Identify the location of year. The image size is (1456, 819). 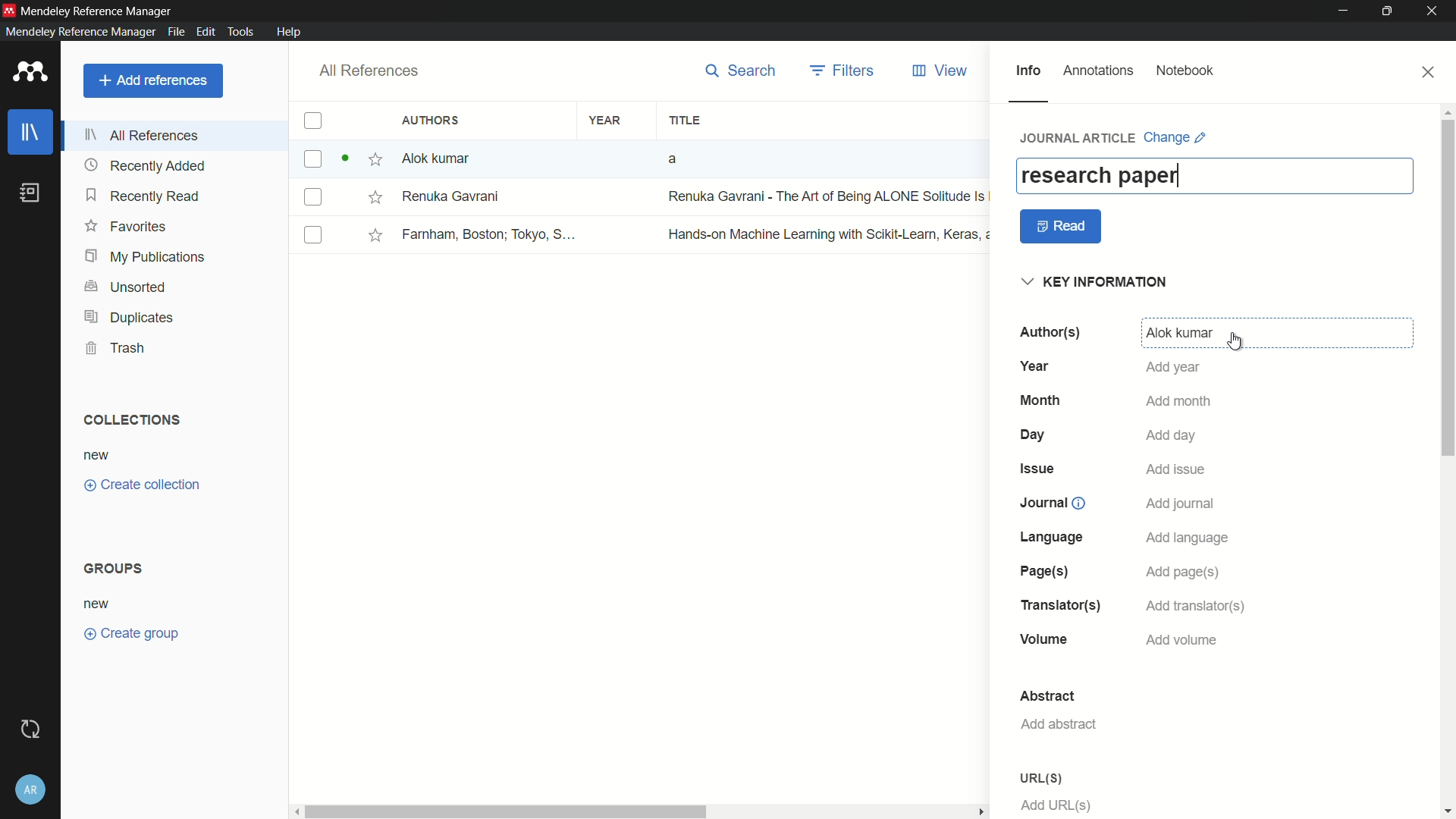
(1038, 366).